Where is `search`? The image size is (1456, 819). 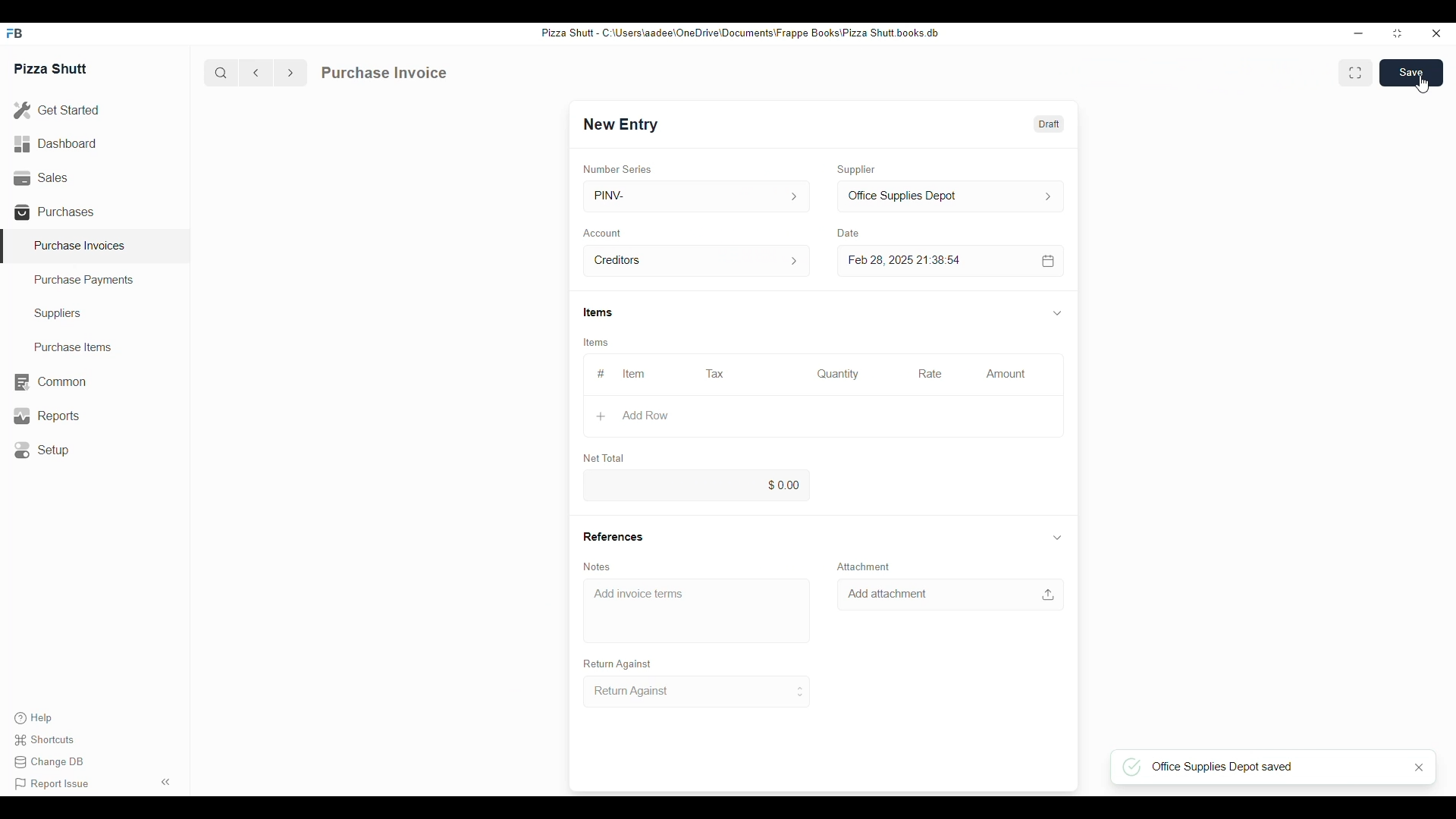 search is located at coordinates (221, 73).